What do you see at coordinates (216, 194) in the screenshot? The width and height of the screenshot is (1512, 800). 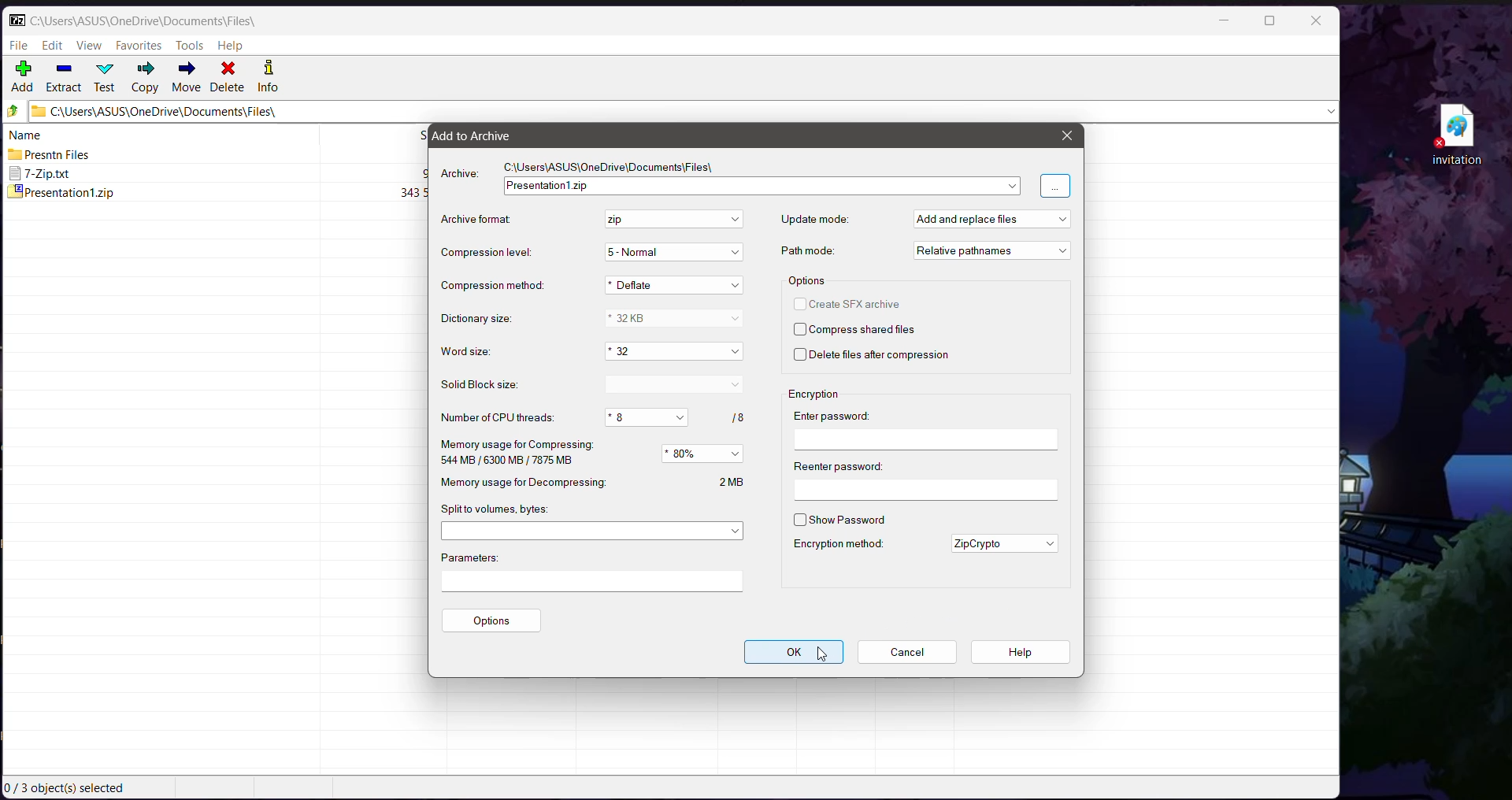 I see `presentationt.zip 343592 2024-11-211843 2024-11-20 23:06` at bounding box center [216, 194].